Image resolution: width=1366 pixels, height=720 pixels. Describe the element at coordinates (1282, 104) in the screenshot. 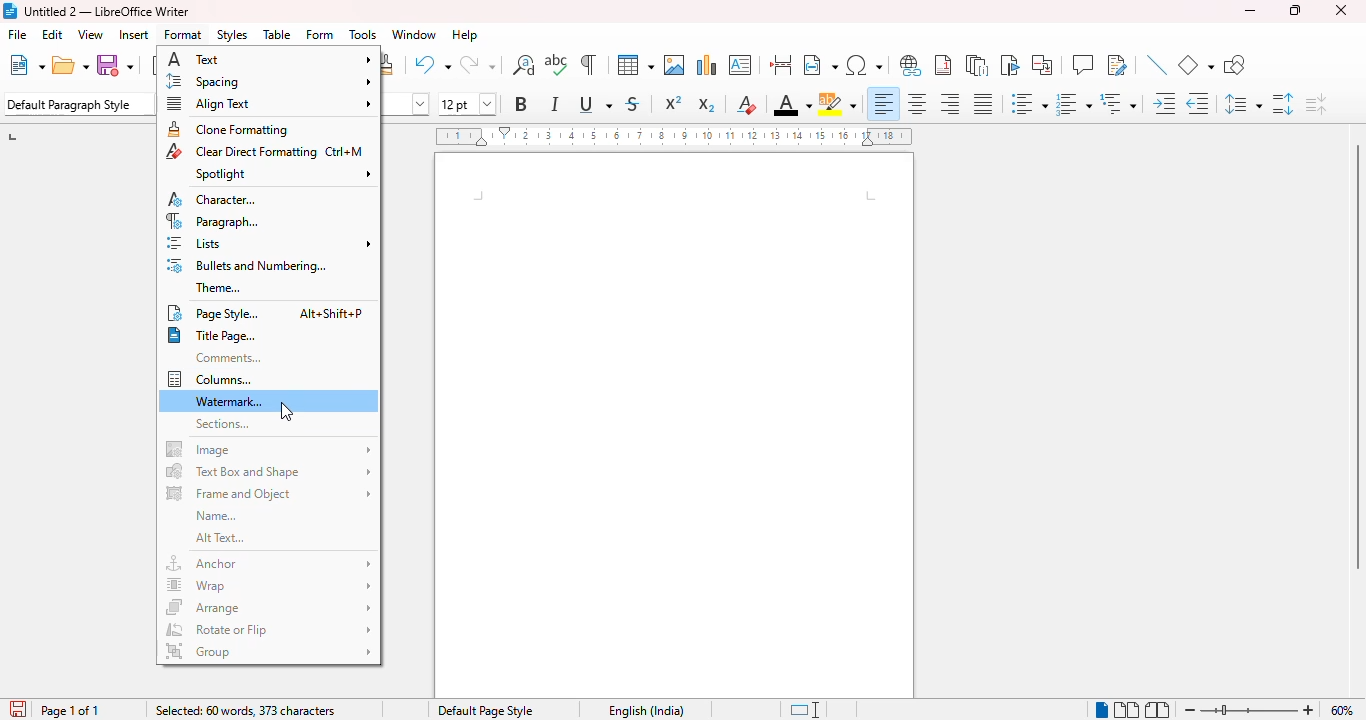

I see `increase paragraph spacing` at that location.